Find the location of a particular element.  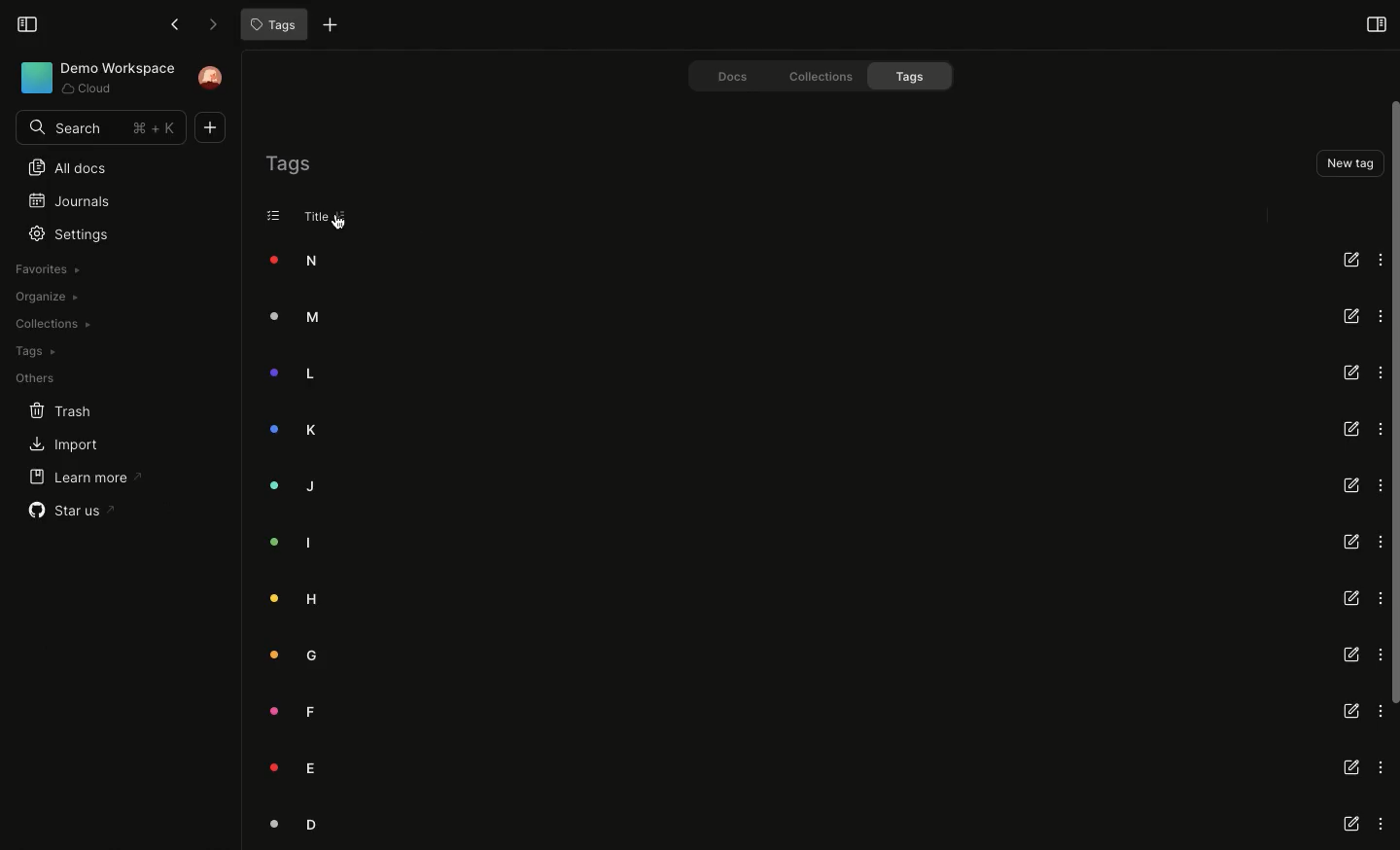

Journals is located at coordinates (61, 199).